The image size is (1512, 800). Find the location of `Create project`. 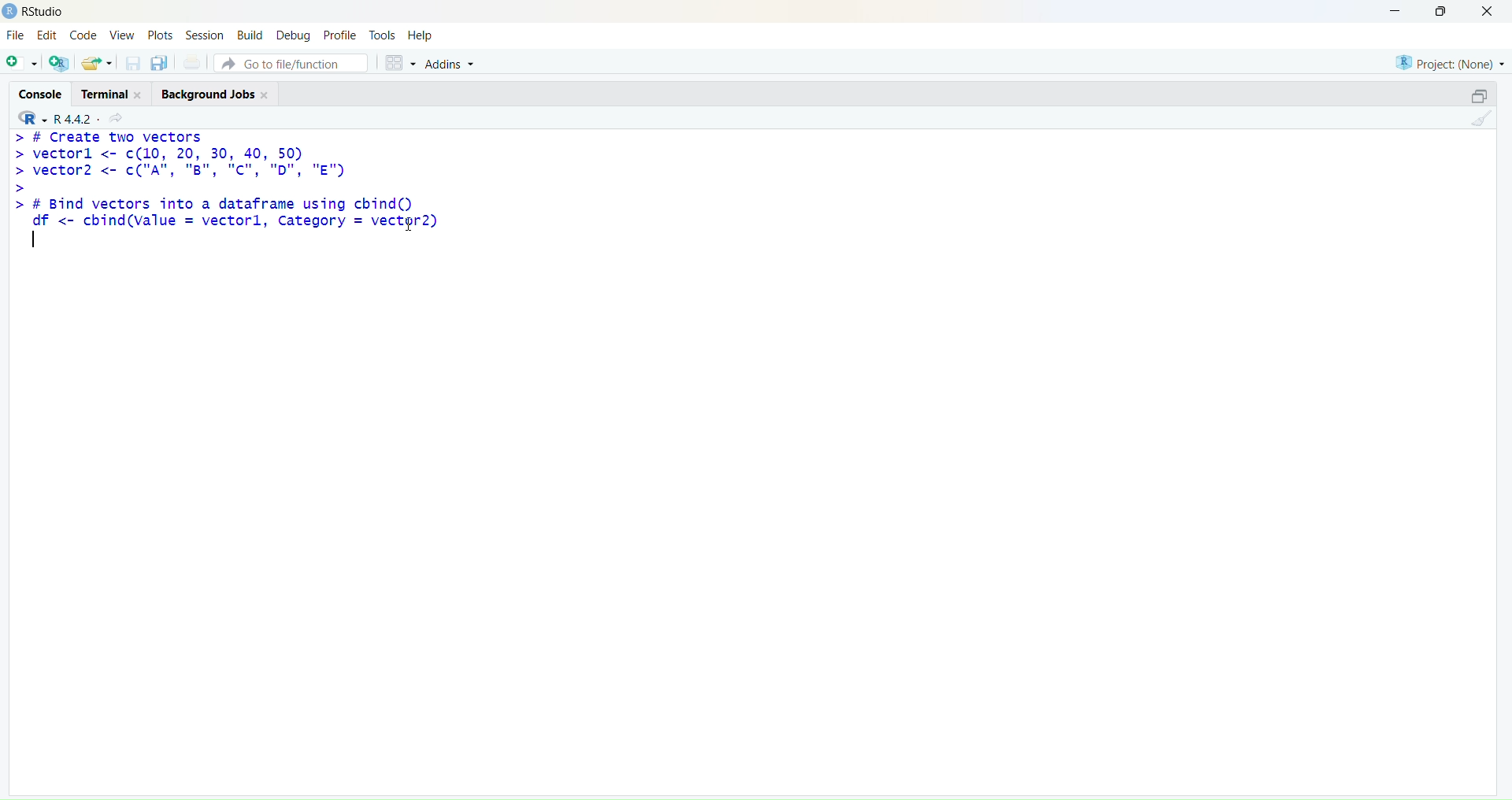

Create project is located at coordinates (60, 63).